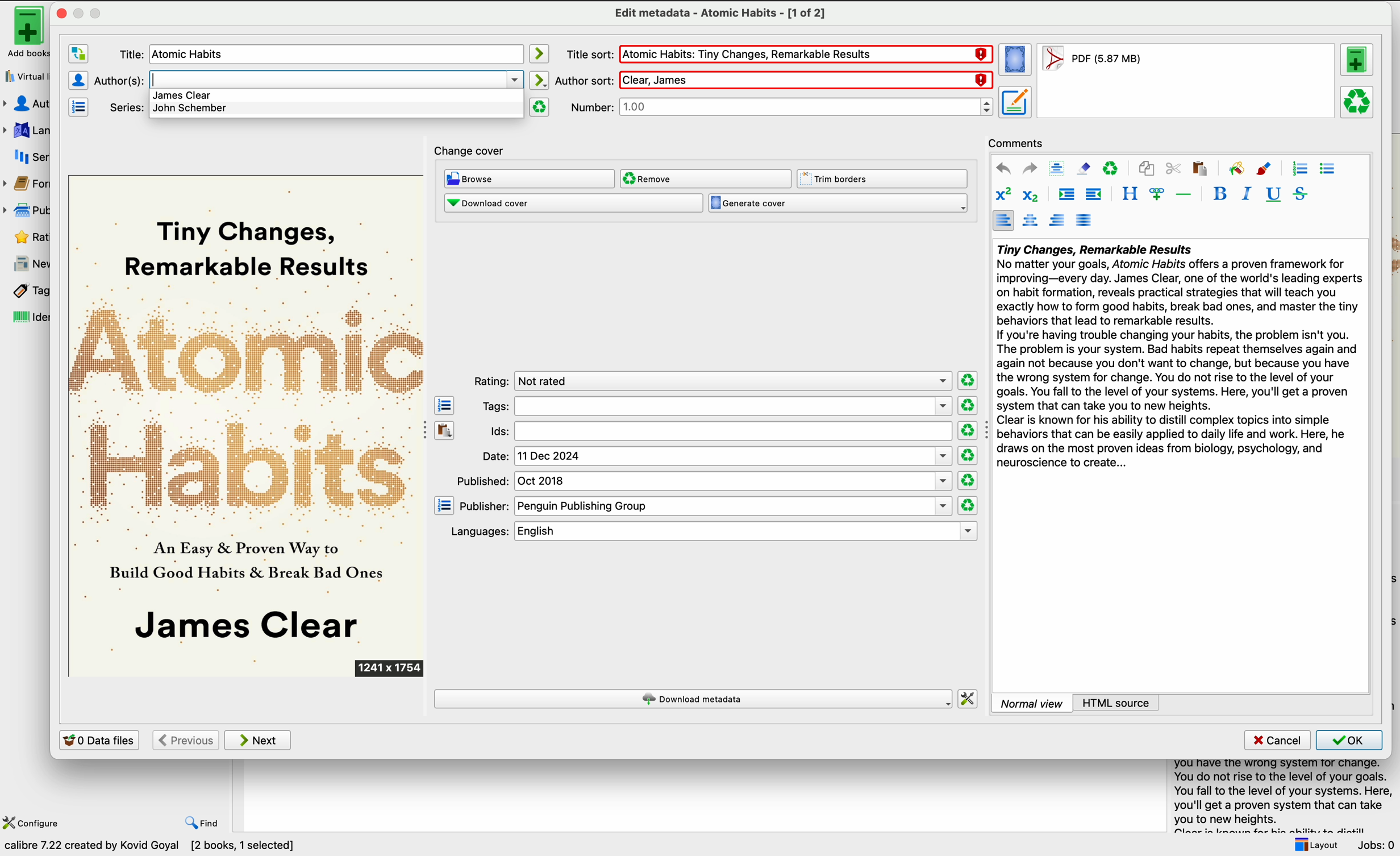 The width and height of the screenshot is (1400, 856). What do you see at coordinates (1349, 740) in the screenshot?
I see `OK button` at bounding box center [1349, 740].